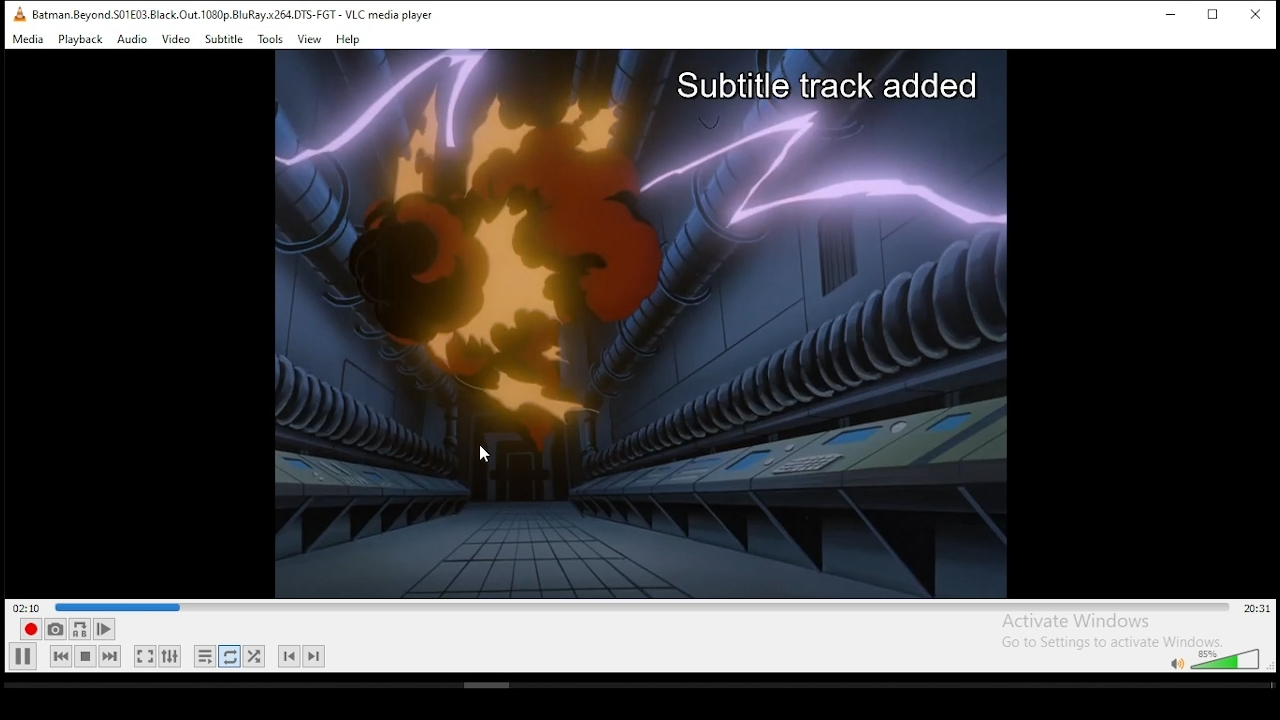 The height and width of the screenshot is (720, 1280). Describe the element at coordinates (23, 657) in the screenshot. I see `play/pause` at that location.